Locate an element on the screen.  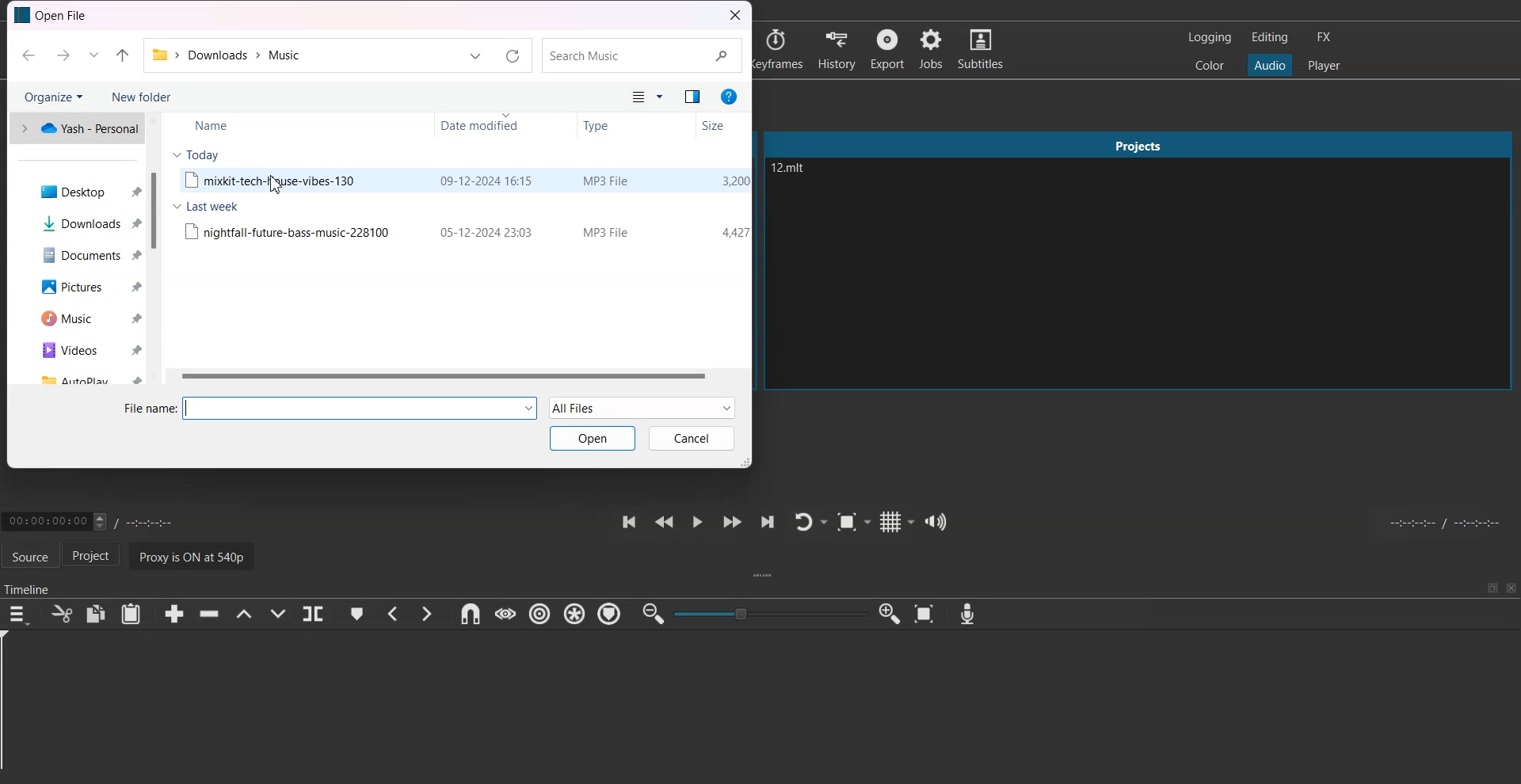
Text is located at coordinates (792, 169).